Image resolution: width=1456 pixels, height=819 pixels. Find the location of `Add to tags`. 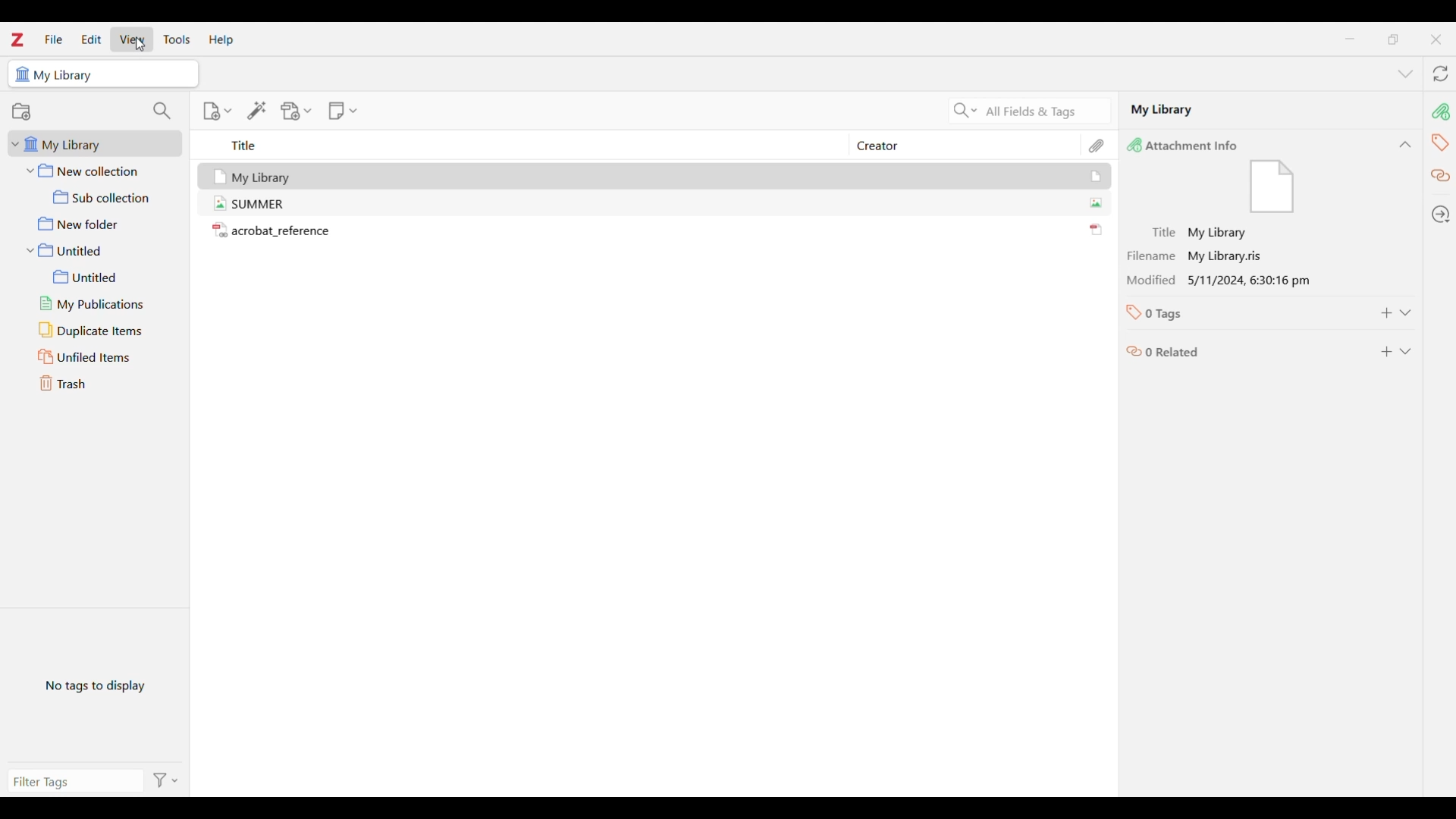

Add to tags is located at coordinates (1386, 313).